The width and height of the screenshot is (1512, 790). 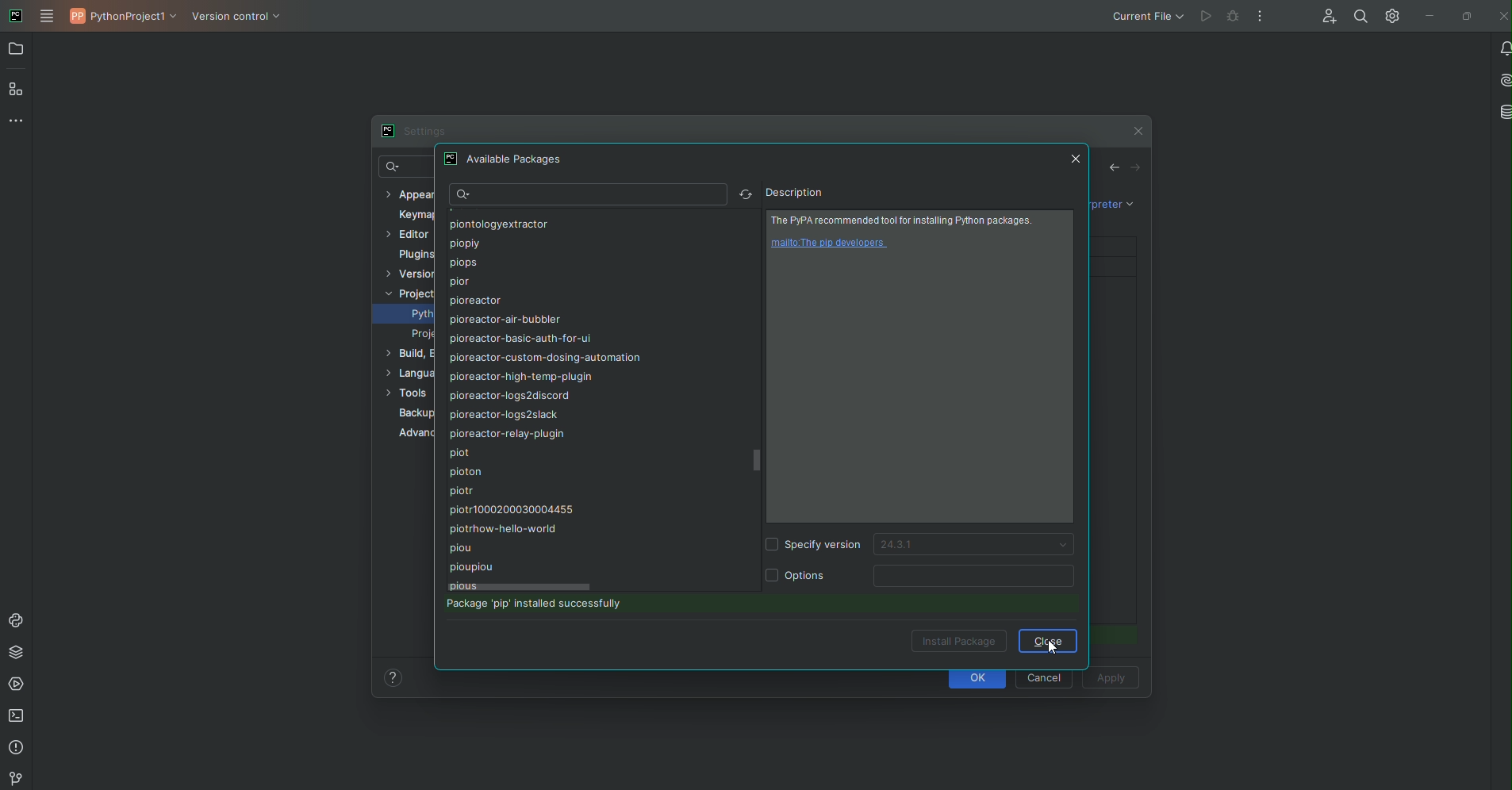 I want to click on languages and Frameworks, so click(x=409, y=372).